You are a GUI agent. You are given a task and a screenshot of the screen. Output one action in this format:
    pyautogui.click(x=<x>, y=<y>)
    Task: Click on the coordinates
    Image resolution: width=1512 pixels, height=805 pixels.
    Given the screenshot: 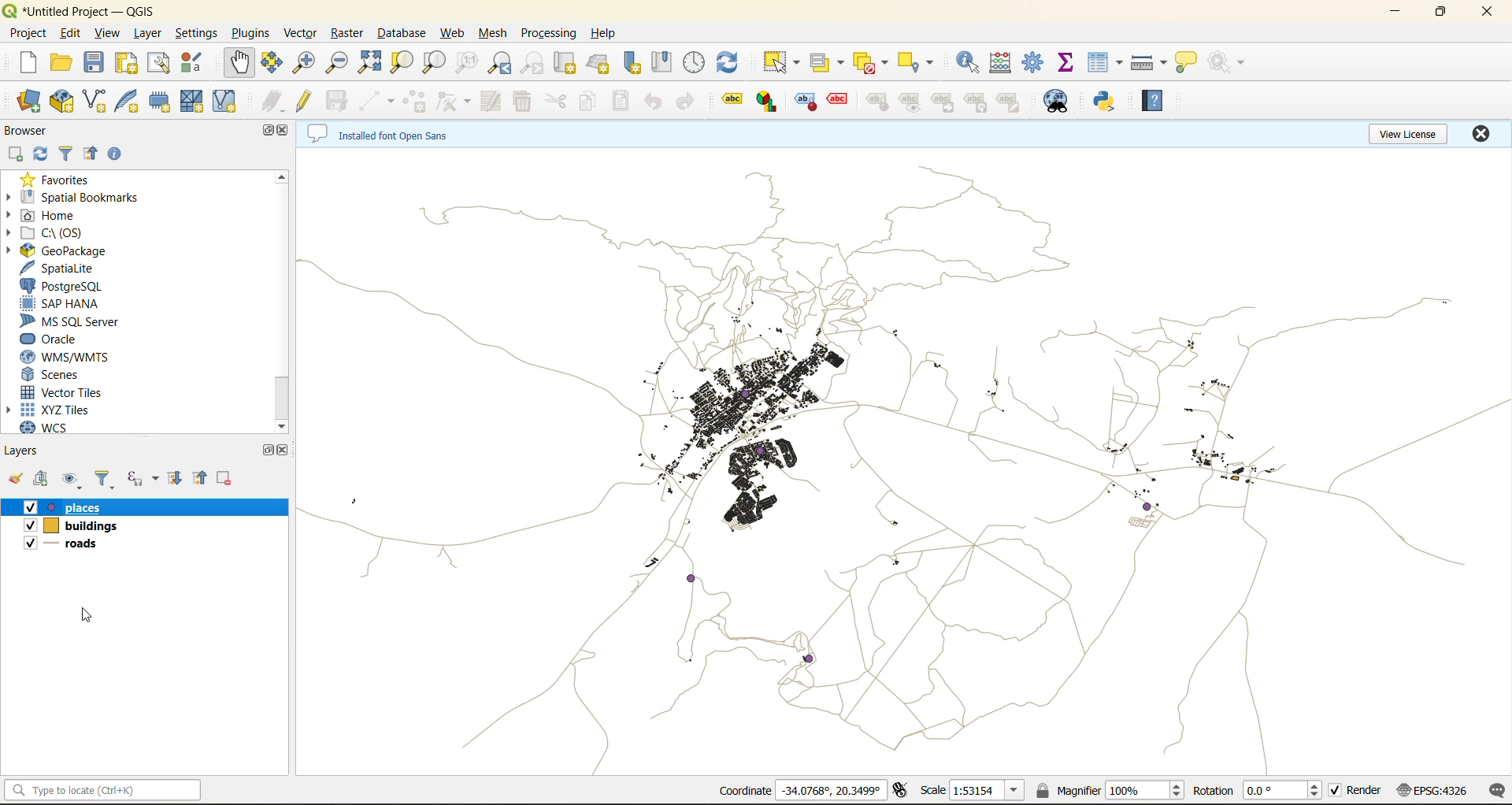 What is the action you would take?
    pyautogui.click(x=744, y=791)
    